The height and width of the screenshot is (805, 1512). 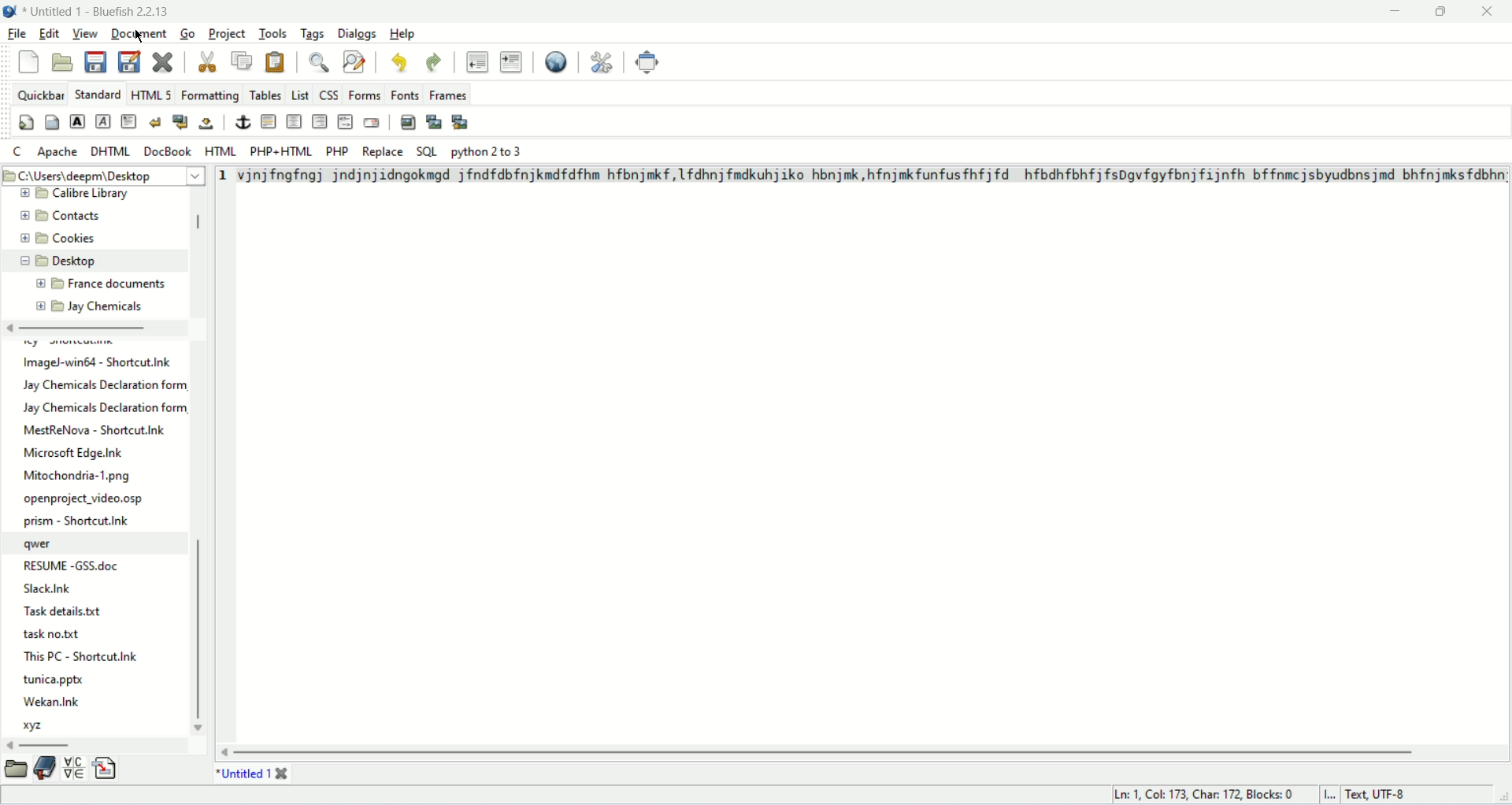 What do you see at coordinates (320, 121) in the screenshot?
I see `right justify` at bounding box center [320, 121].